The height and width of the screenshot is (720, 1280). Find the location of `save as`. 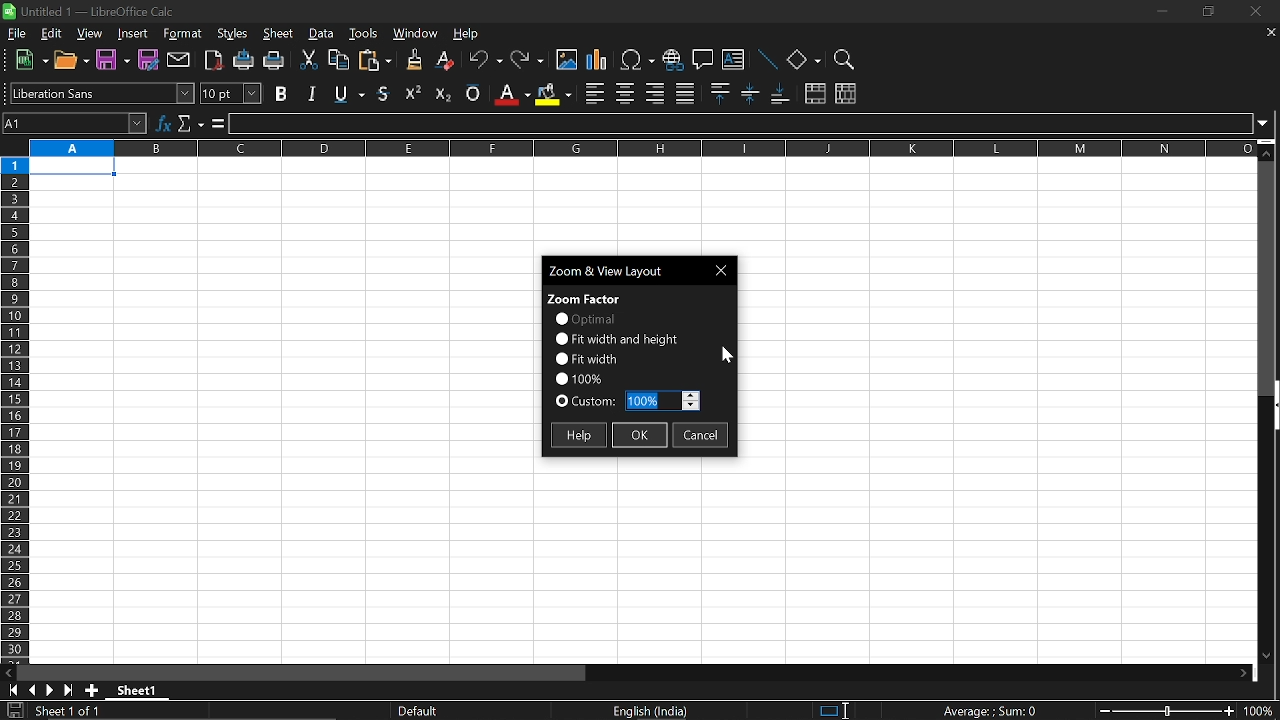

save as is located at coordinates (149, 60).